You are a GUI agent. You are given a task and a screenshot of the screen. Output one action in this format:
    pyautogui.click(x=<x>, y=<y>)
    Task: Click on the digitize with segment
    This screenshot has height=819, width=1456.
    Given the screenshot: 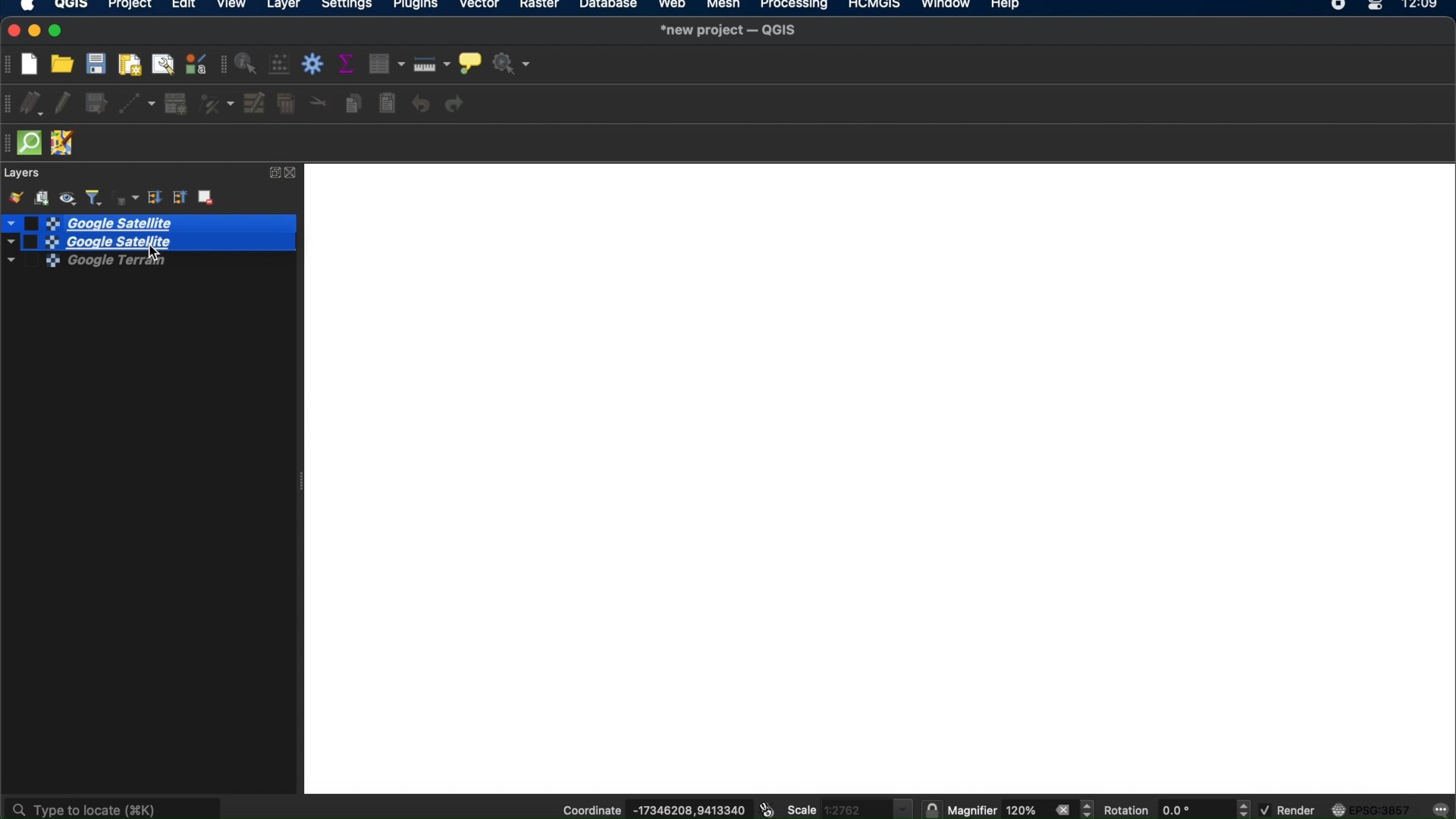 What is the action you would take?
    pyautogui.click(x=139, y=103)
    